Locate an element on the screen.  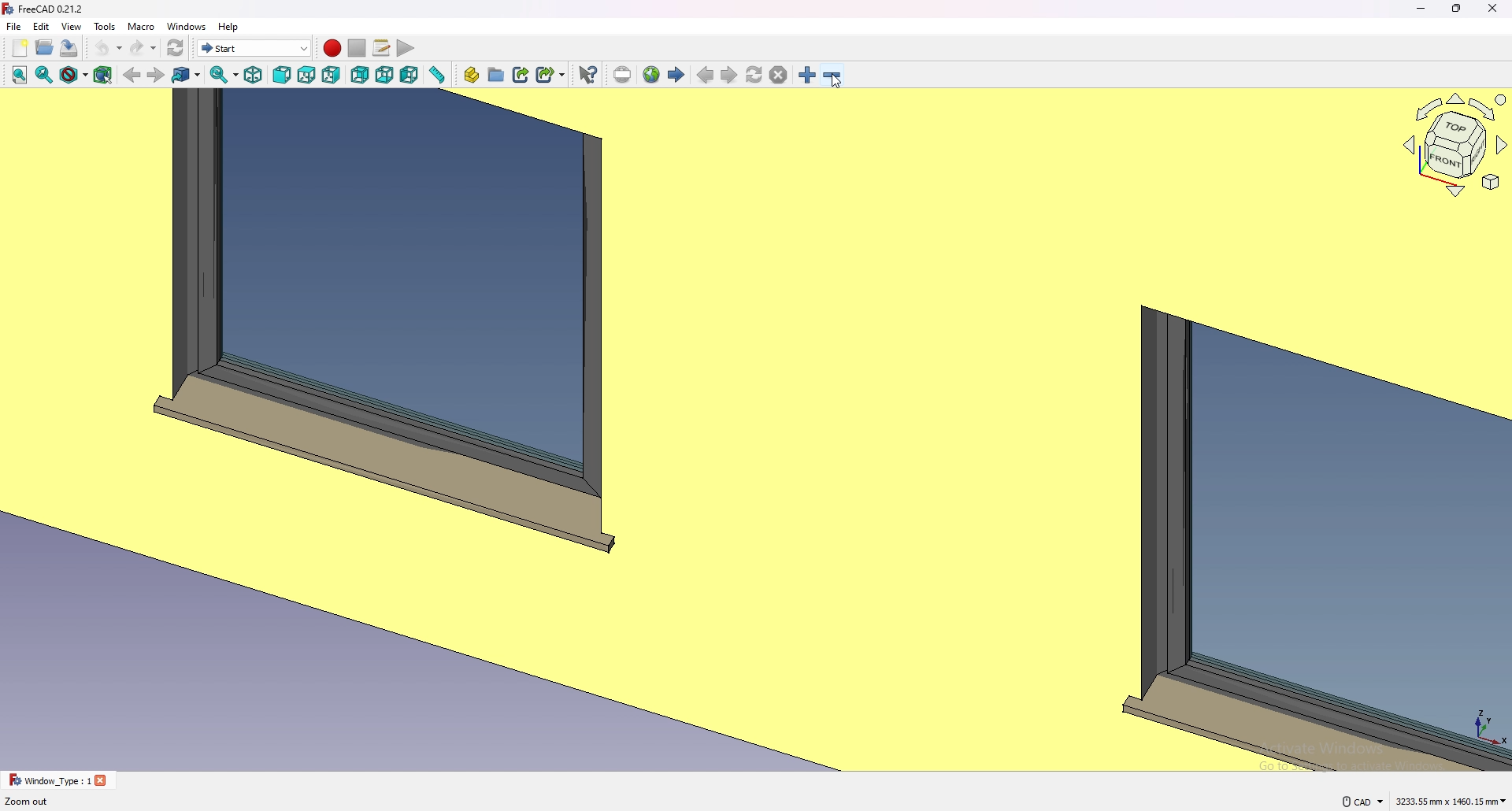
isometric is located at coordinates (253, 75).